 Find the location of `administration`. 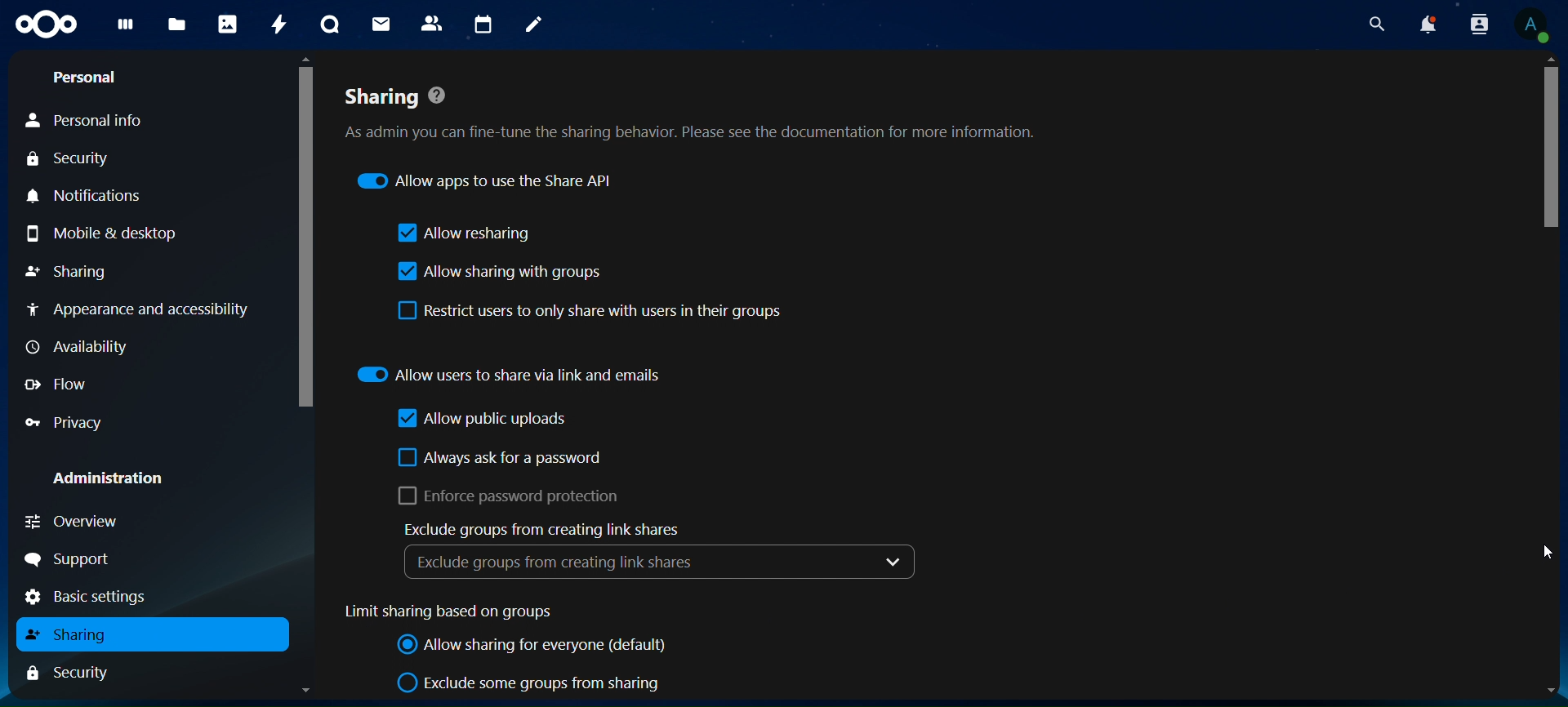

administration is located at coordinates (106, 474).